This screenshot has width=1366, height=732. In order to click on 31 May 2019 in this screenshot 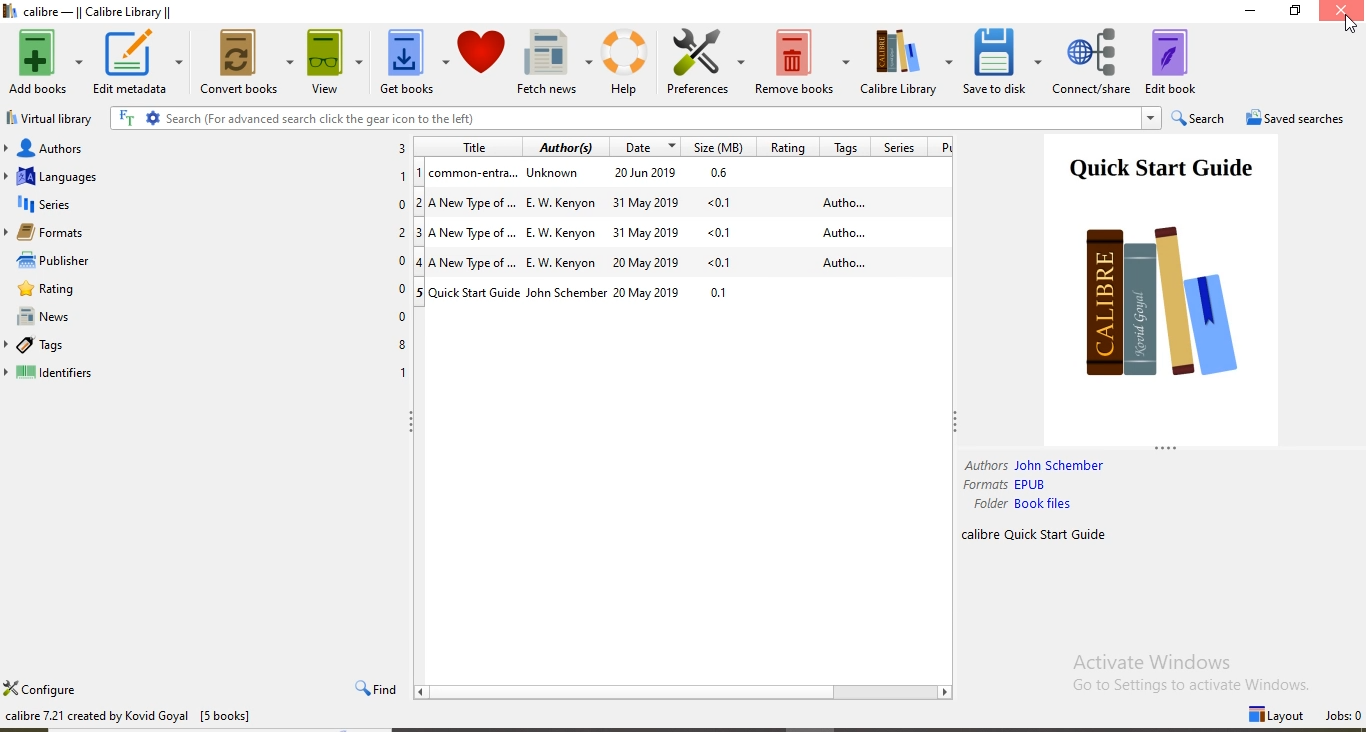, I will do `click(646, 203)`.